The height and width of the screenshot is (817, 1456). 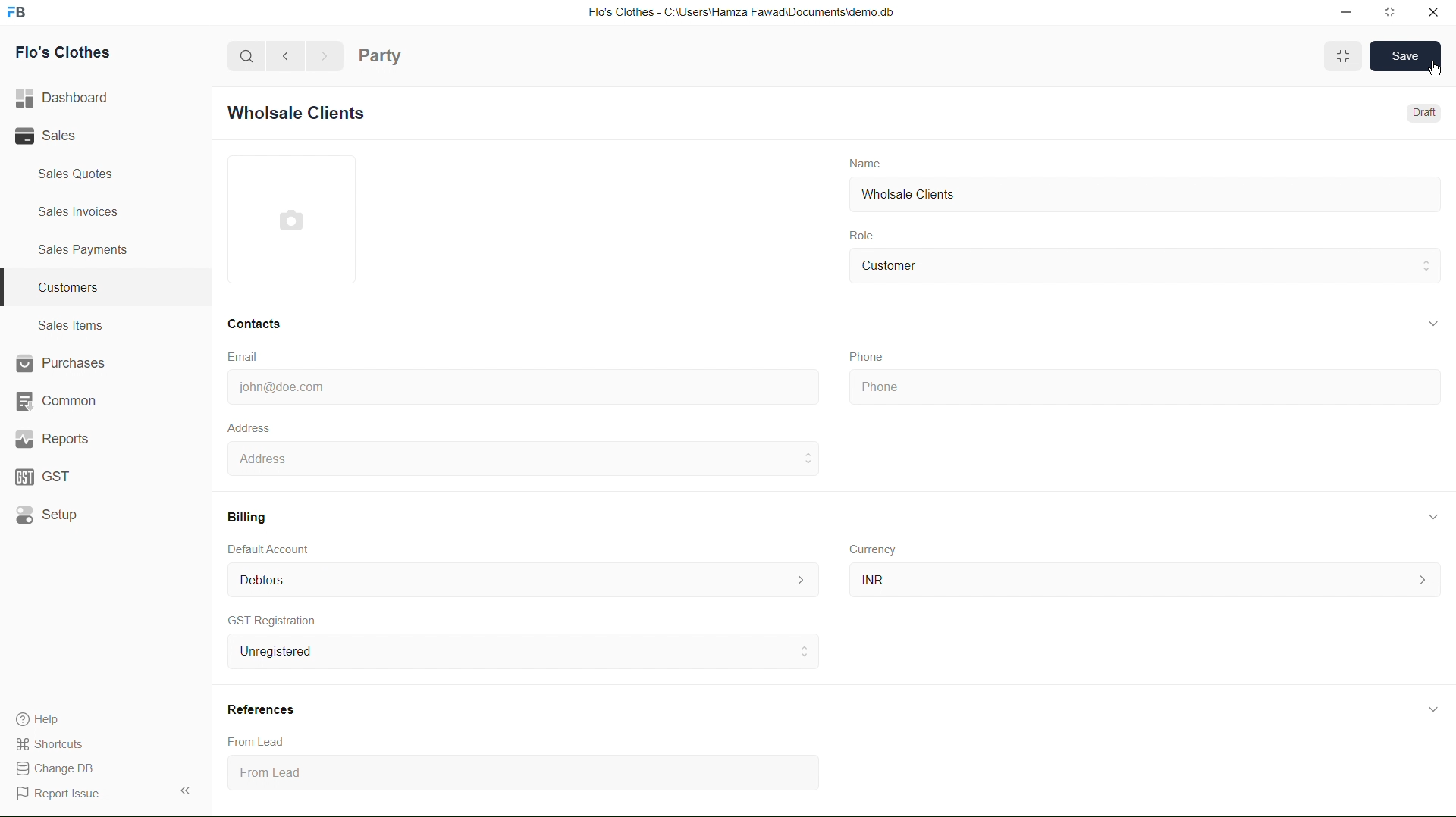 I want to click on Frappebooks logo, so click(x=24, y=14).